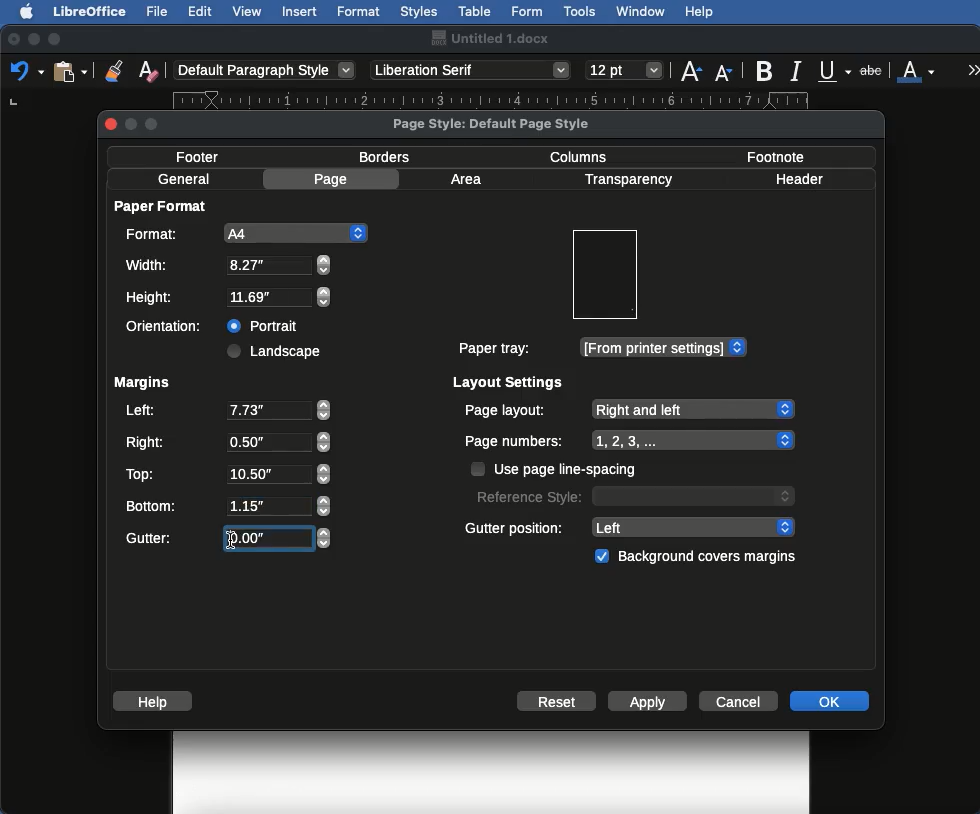  Describe the element at coordinates (836, 72) in the screenshot. I see `Underline` at that location.